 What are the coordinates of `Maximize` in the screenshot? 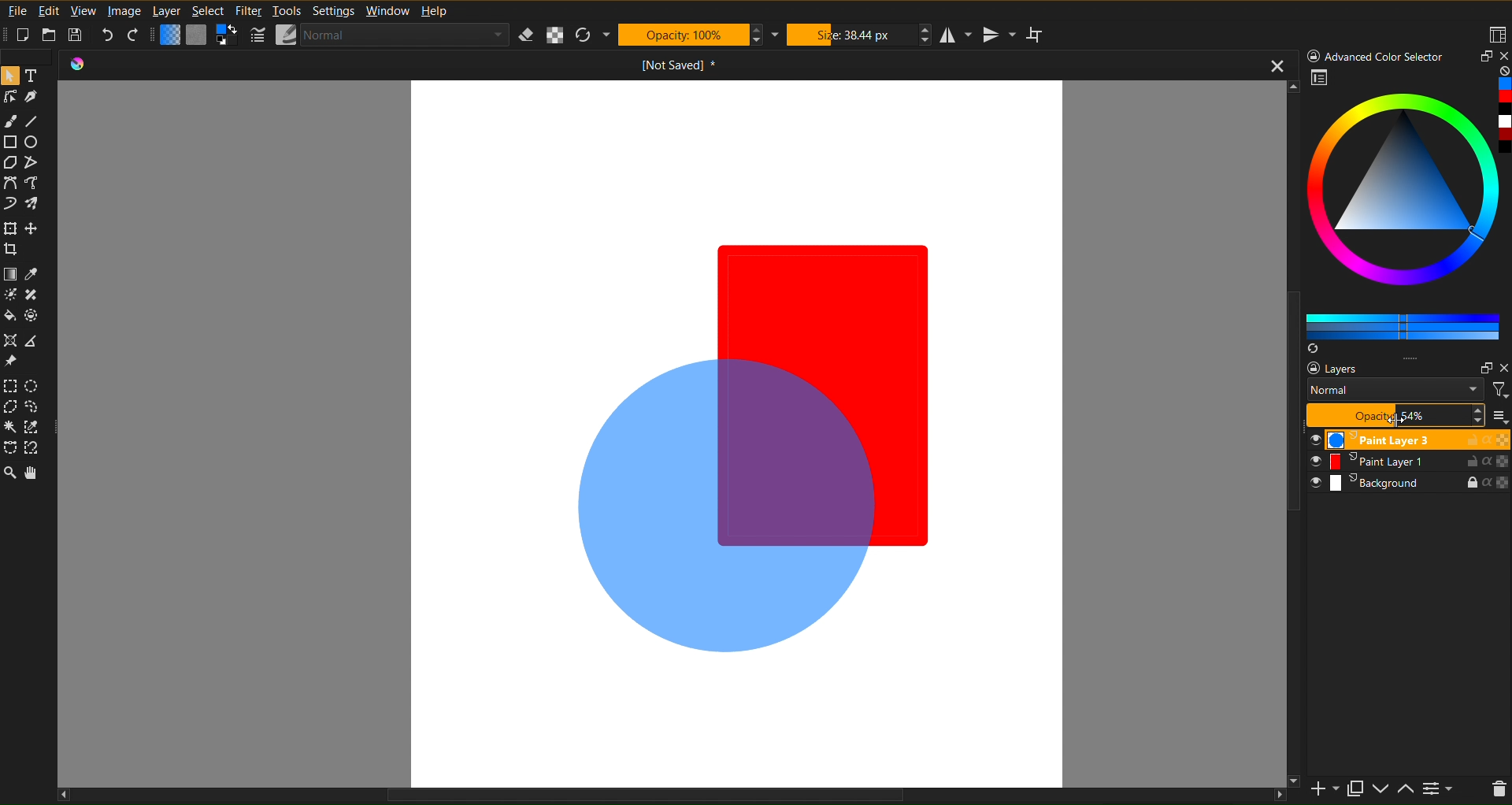 It's located at (1481, 366).